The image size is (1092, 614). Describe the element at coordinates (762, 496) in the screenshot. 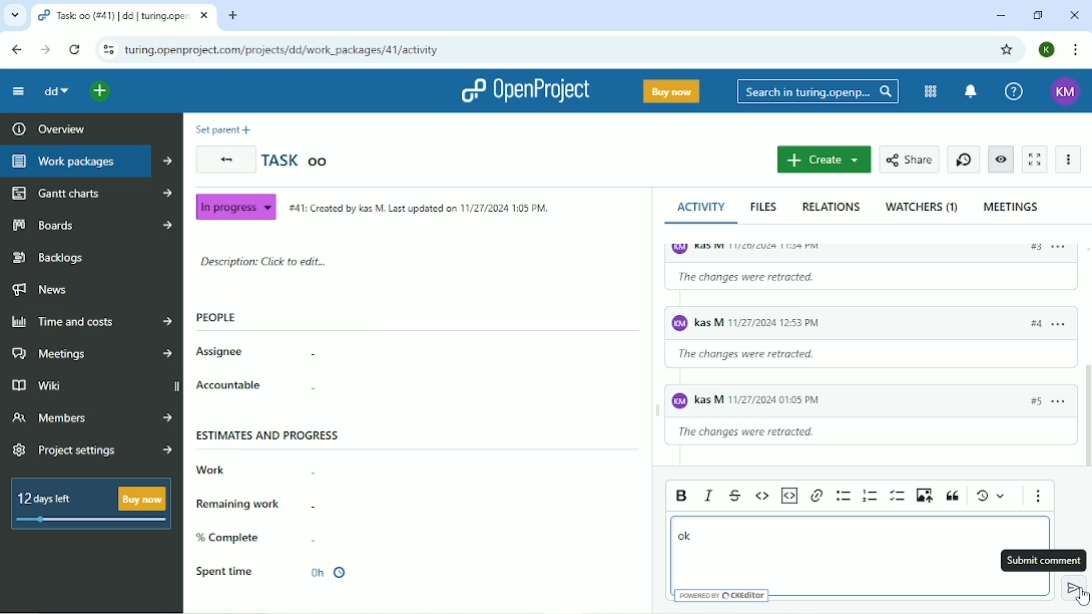

I see `Code` at that location.